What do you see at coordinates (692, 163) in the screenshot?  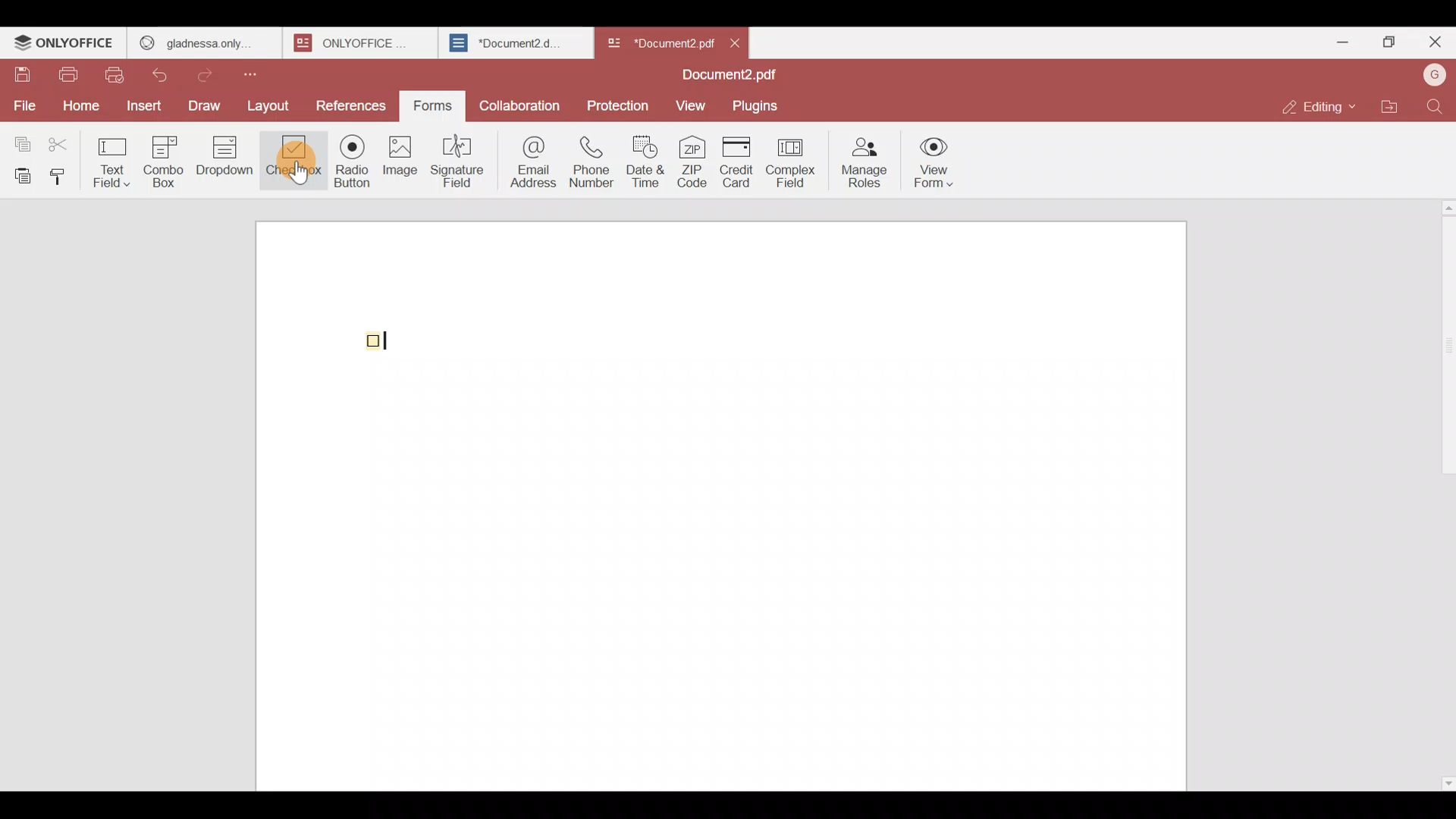 I see `ZIP code` at bounding box center [692, 163].